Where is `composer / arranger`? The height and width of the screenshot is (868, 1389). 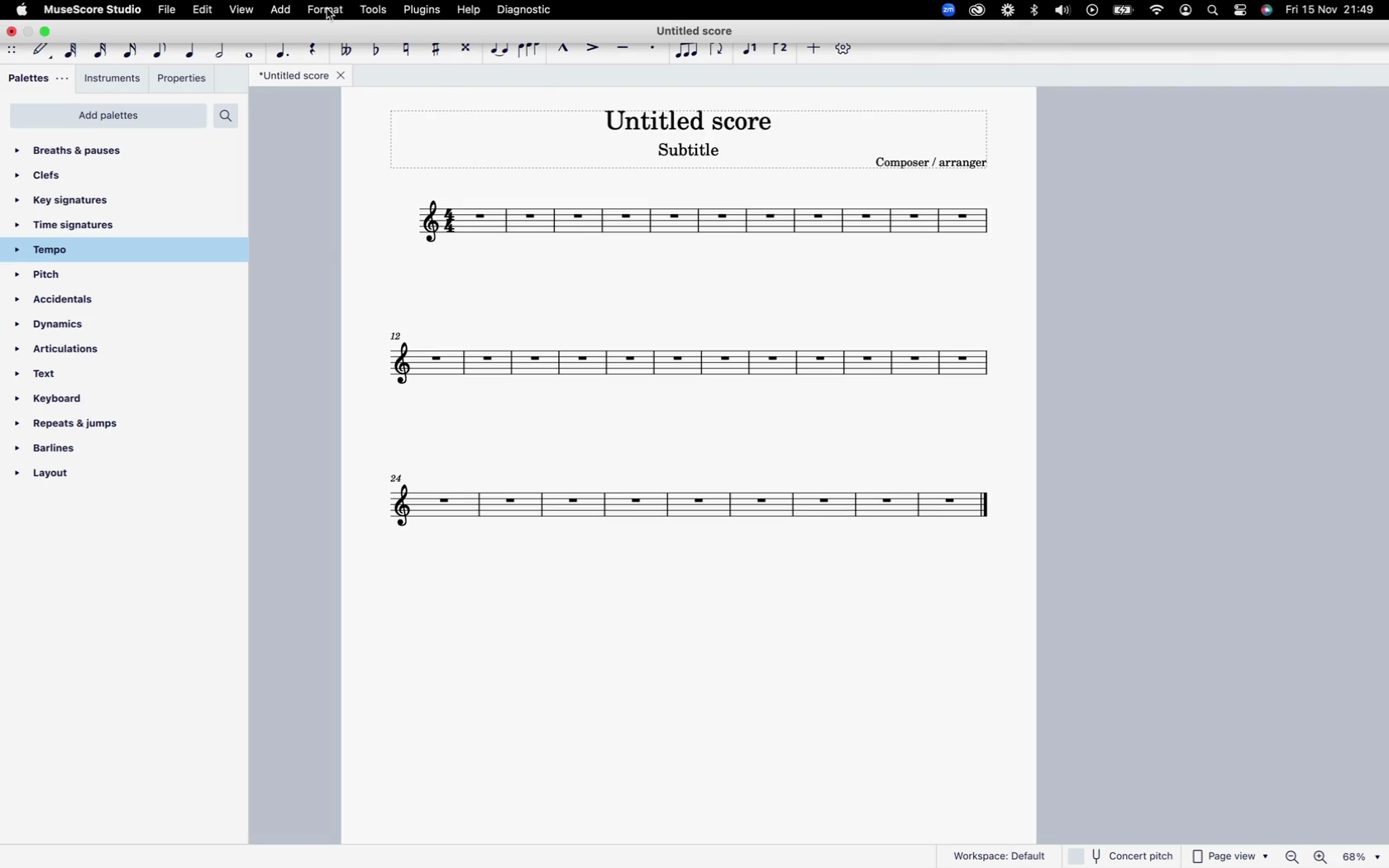
composer / arranger is located at coordinates (937, 162).